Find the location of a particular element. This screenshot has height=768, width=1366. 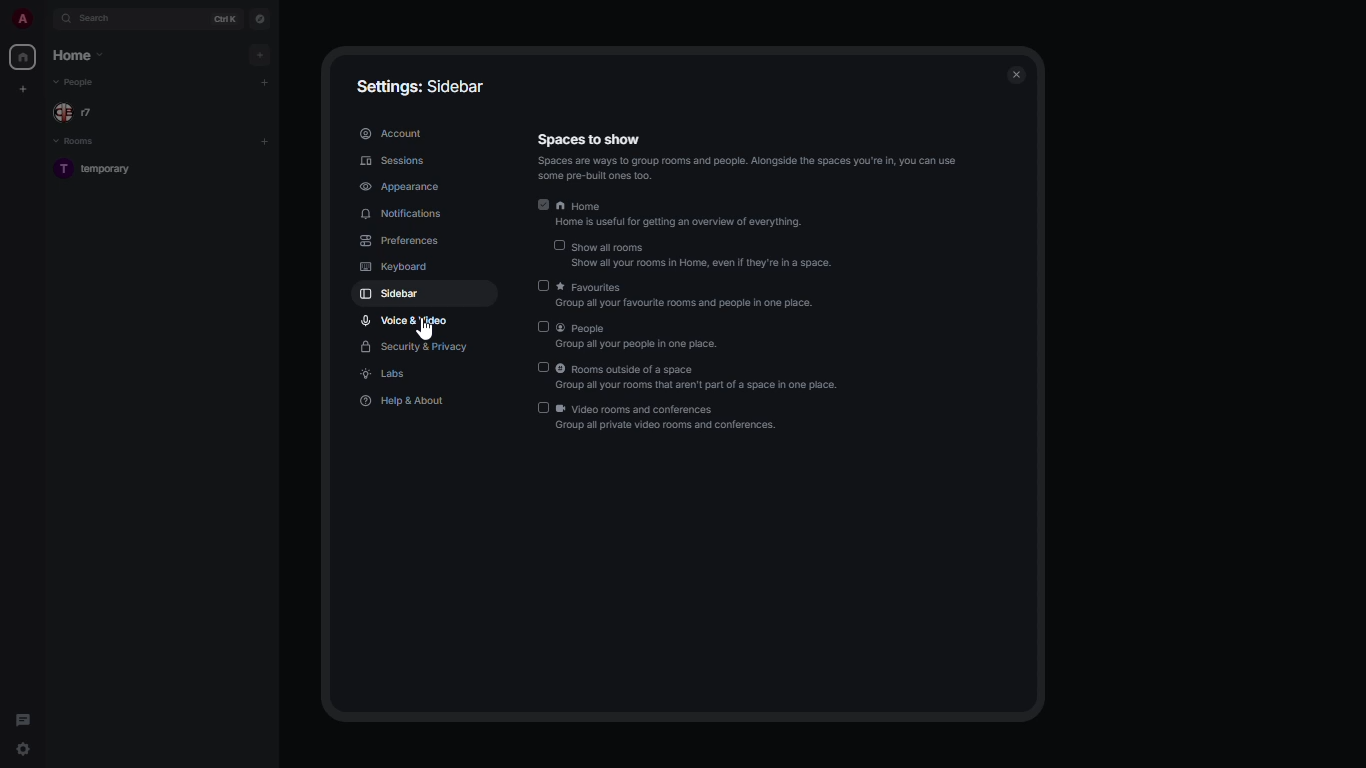

preferences is located at coordinates (398, 241).